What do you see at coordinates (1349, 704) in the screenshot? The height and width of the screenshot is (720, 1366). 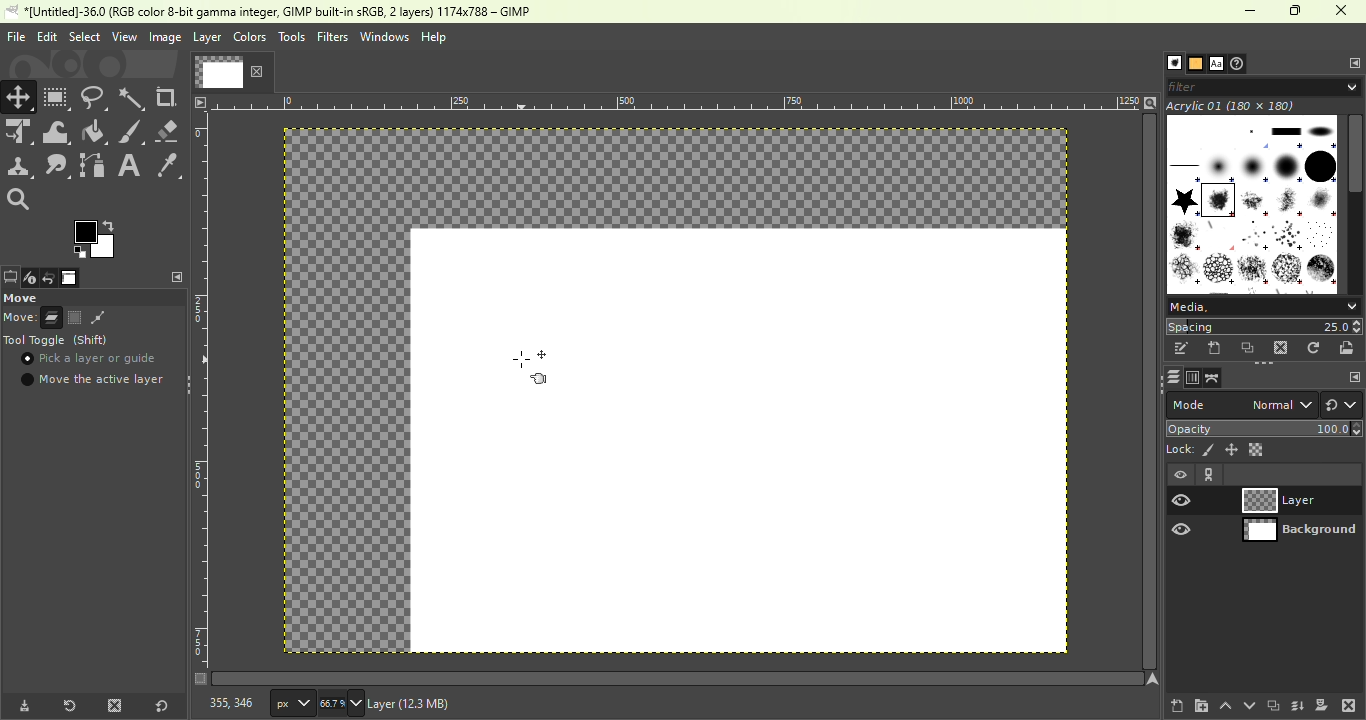 I see `Delete this layer` at bounding box center [1349, 704].